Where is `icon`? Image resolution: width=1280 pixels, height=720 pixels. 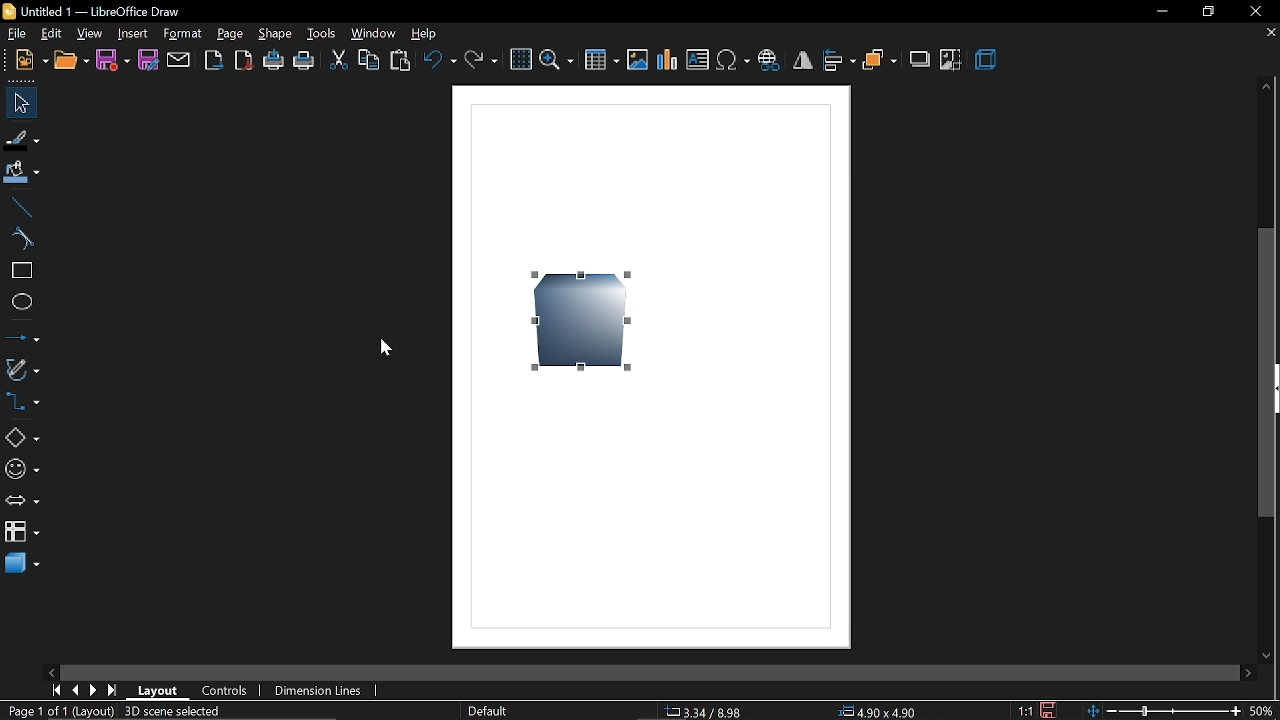
icon is located at coordinates (8, 11).